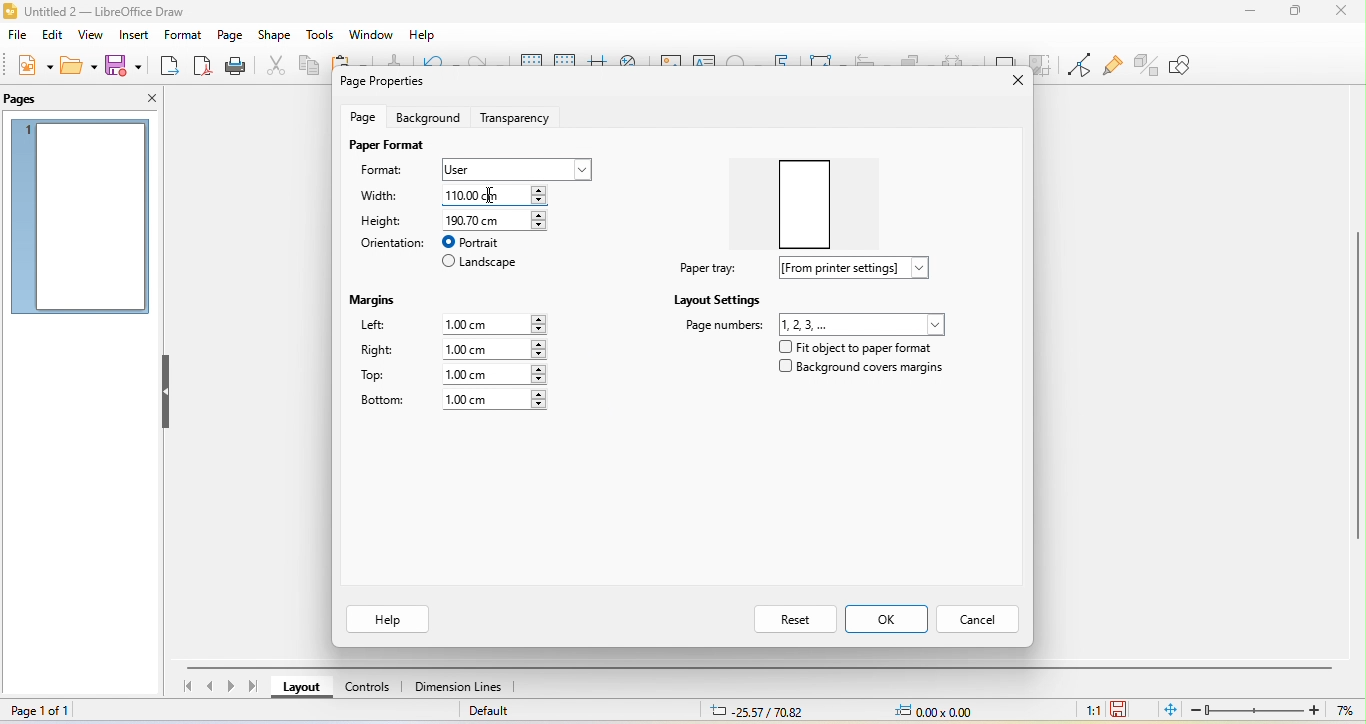 Image resolution: width=1366 pixels, height=724 pixels. Describe the element at coordinates (383, 220) in the screenshot. I see `height` at that location.